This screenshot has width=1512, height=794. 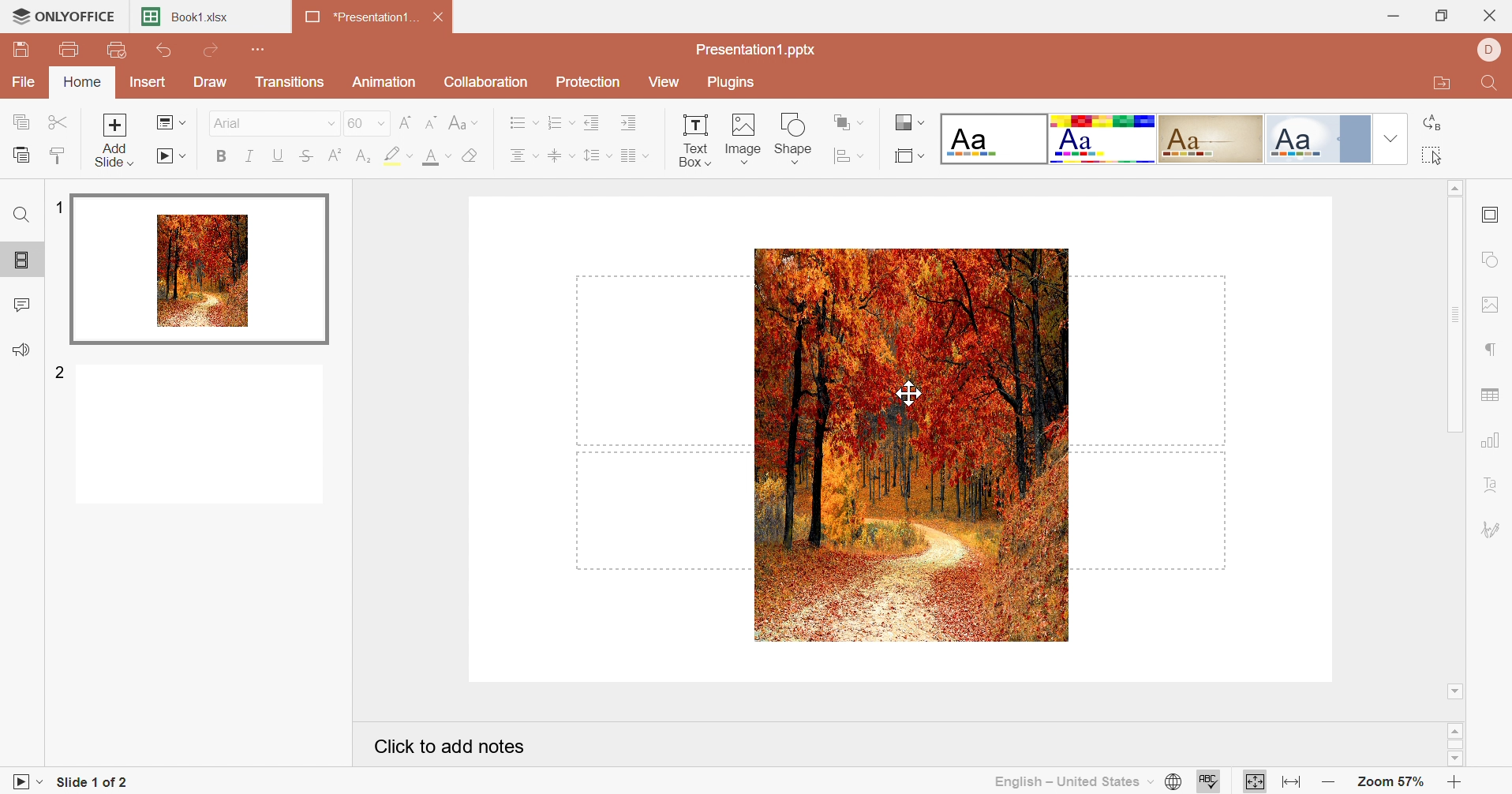 What do you see at coordinates (1455, 783) in the screenshot?
I see `Zoom in` at bounding box center [1455, 783].